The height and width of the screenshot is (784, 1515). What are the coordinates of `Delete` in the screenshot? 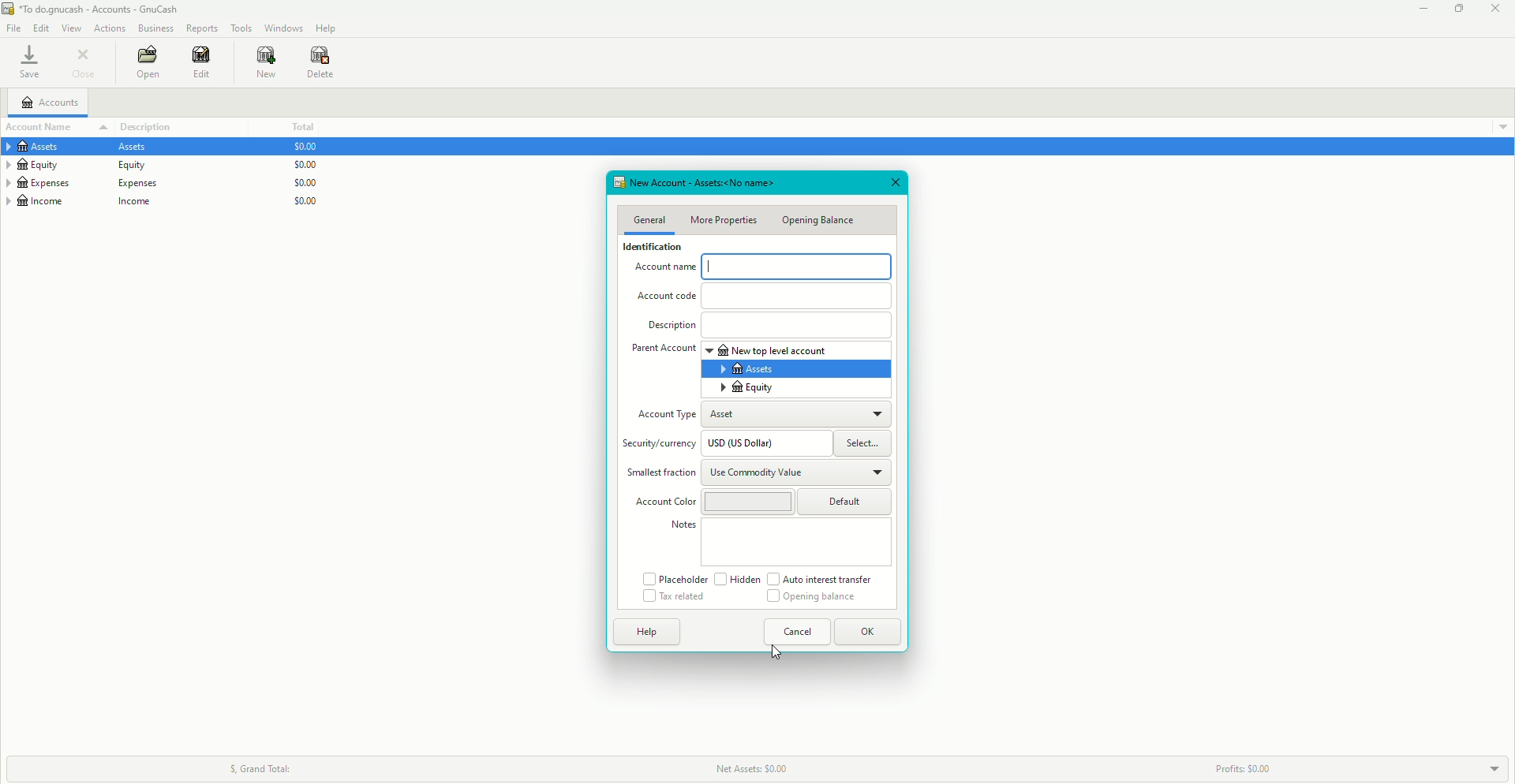 It's located at (320, 62).